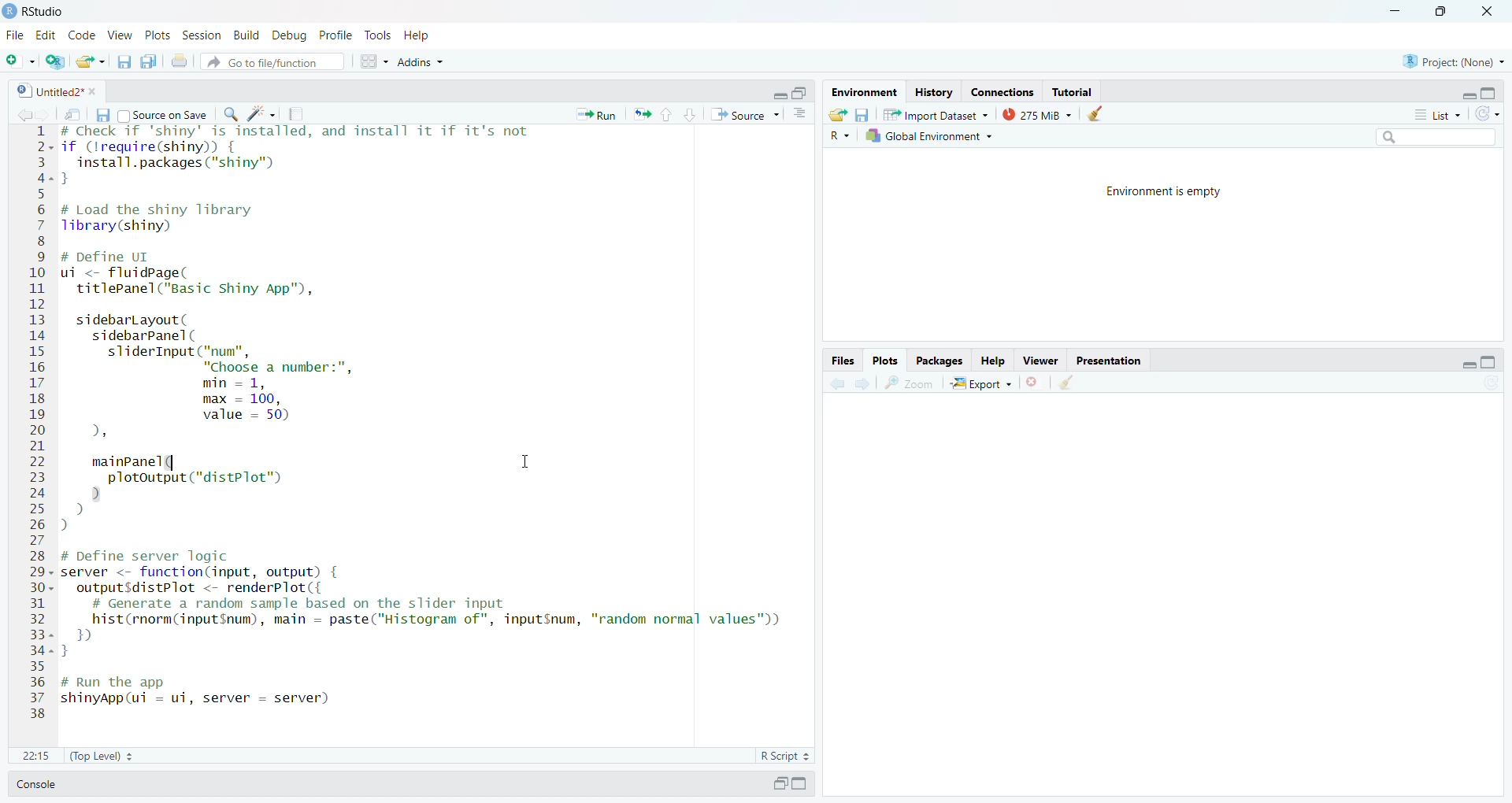 Image resolution: width=1512 pixels, height=803 pixels. I want to click on open folder, so click(837, 114).